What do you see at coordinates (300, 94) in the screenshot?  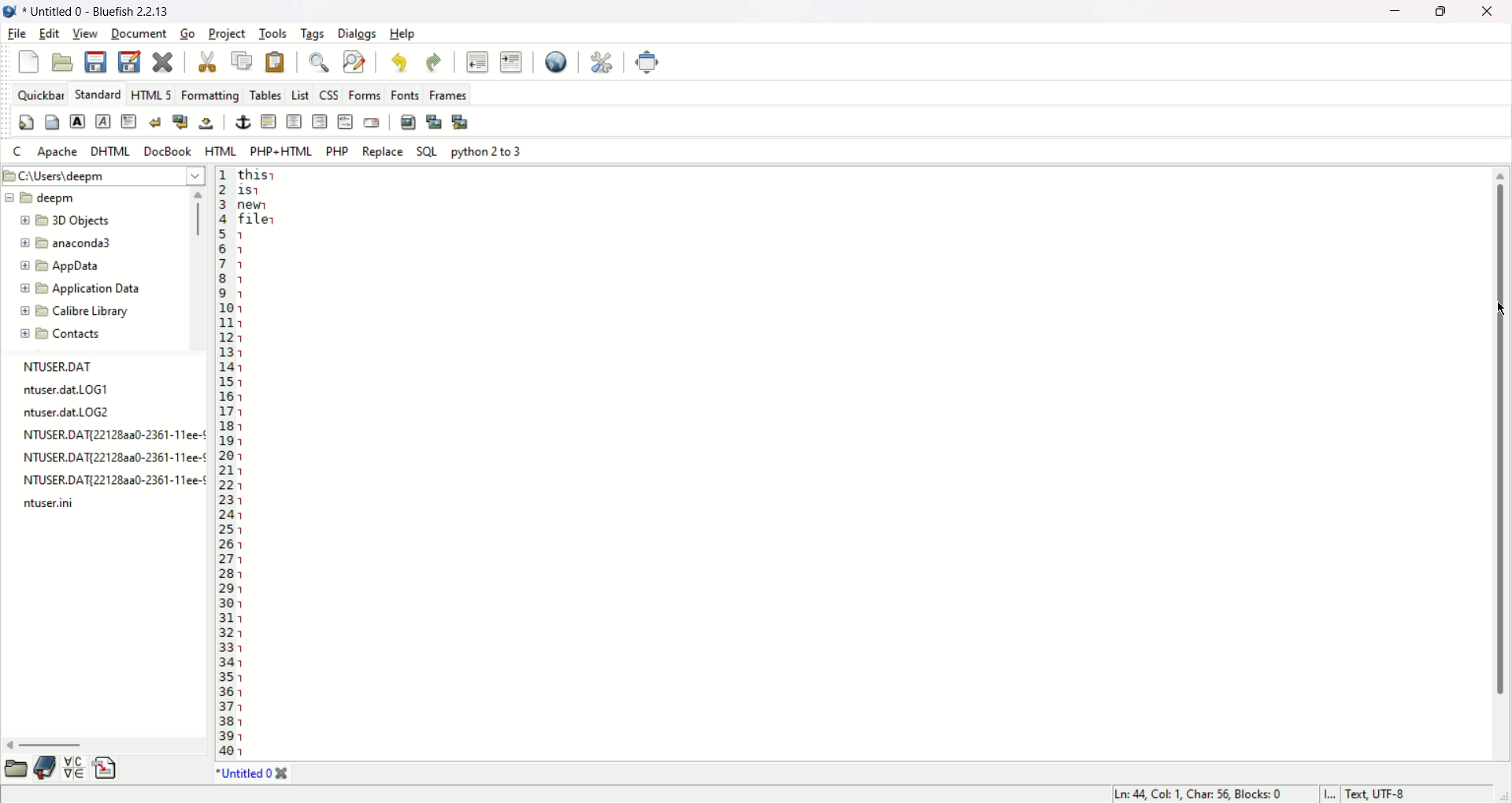 I see `list` at bounding box center [300, 94].